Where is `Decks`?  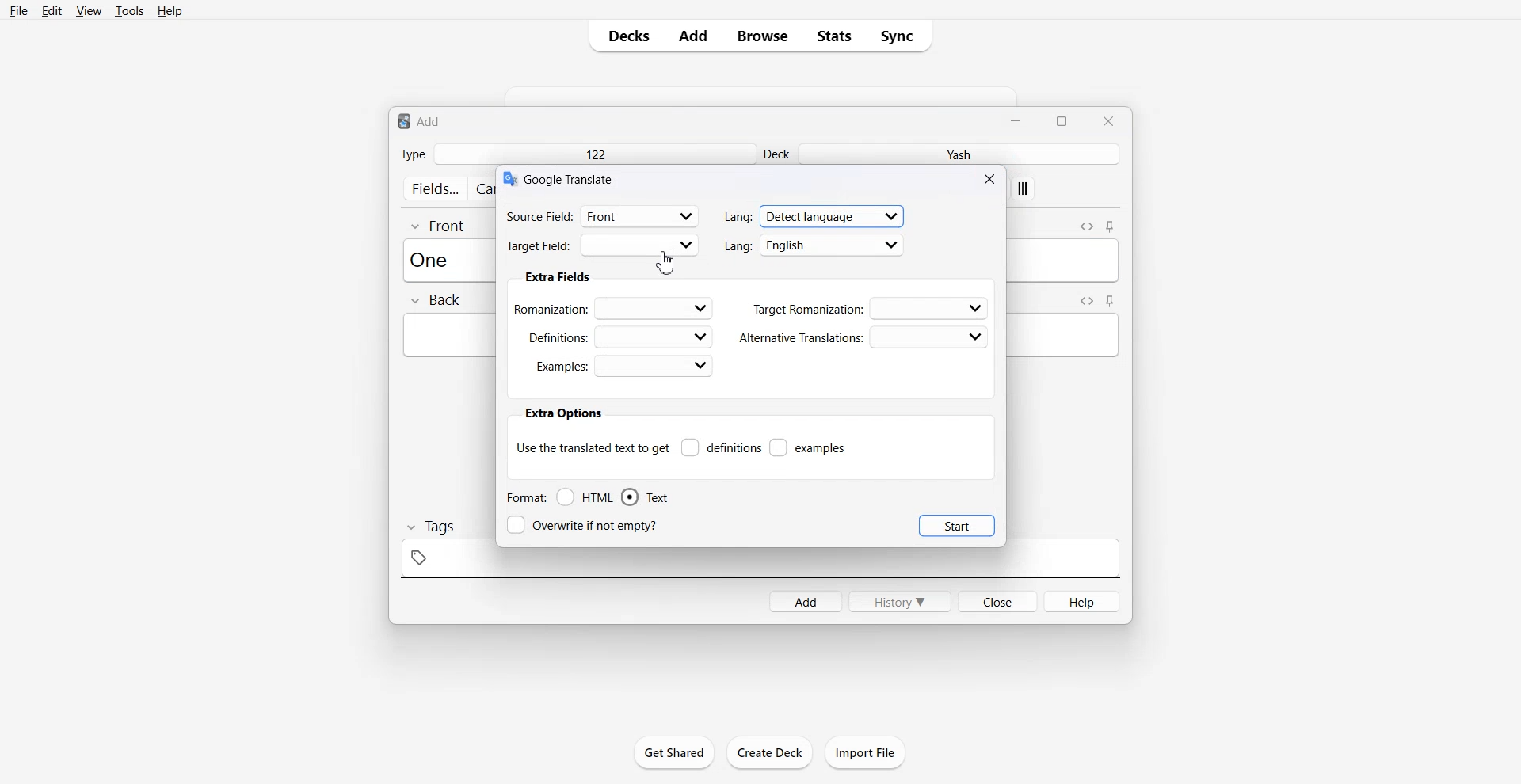
Decks is located at coordinates (623, 36).